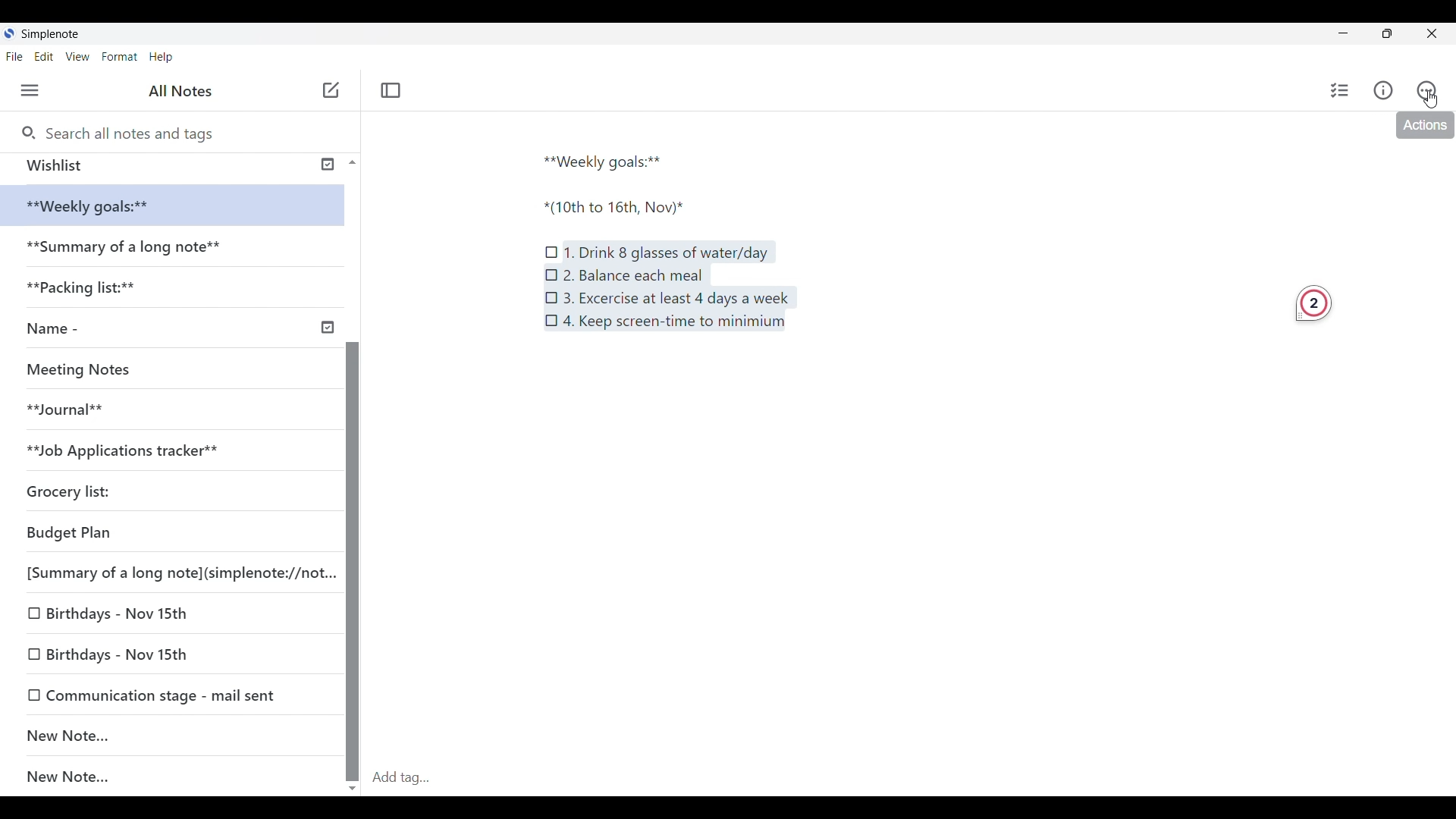 The image size is (1456, 819). What do you see at coordinates (353, 783) in the screenshot?
I see `scroll down button` at bounding box center [353, 783].